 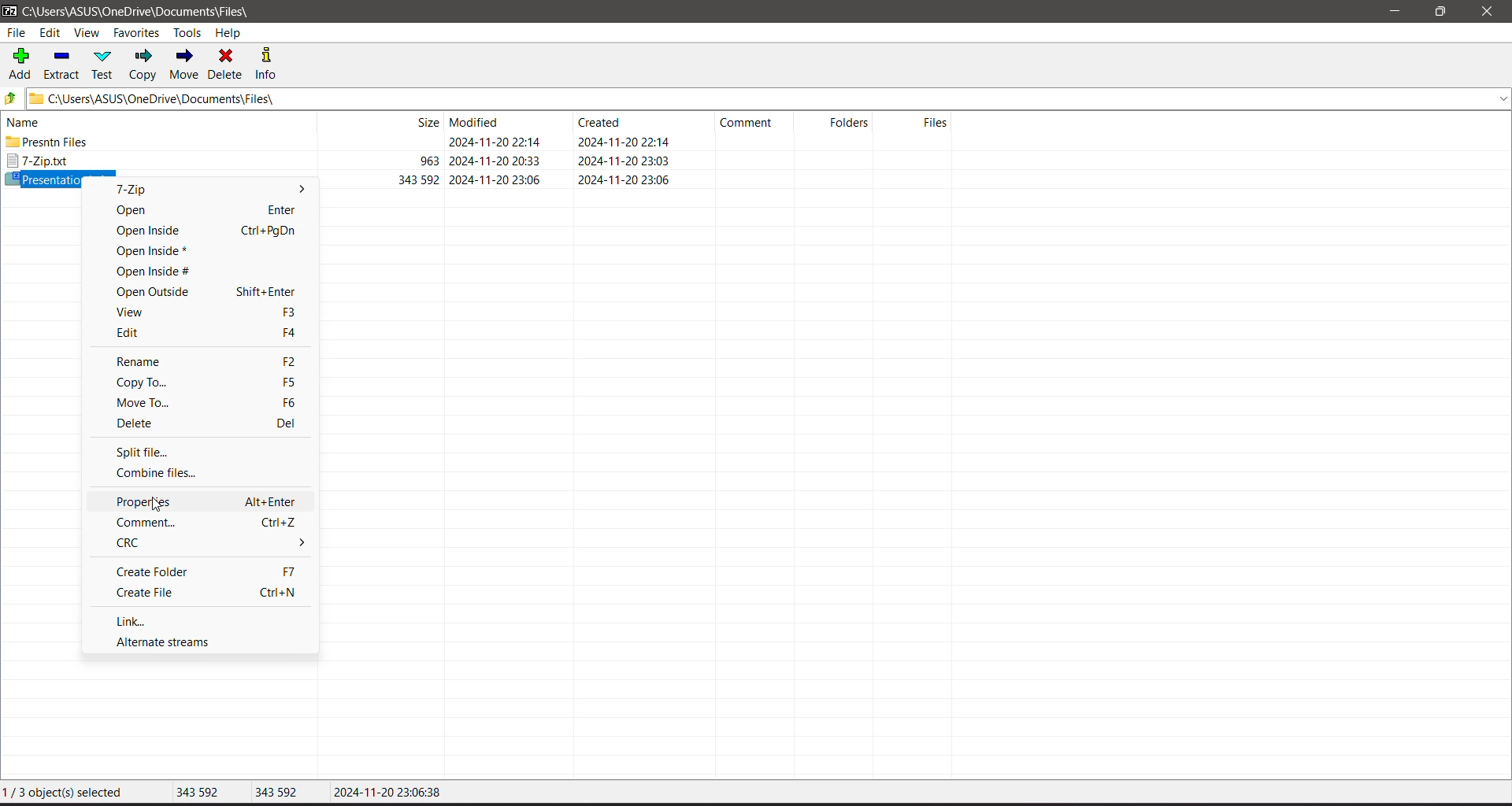 I want to click on More options, so click(x=295, y=191).